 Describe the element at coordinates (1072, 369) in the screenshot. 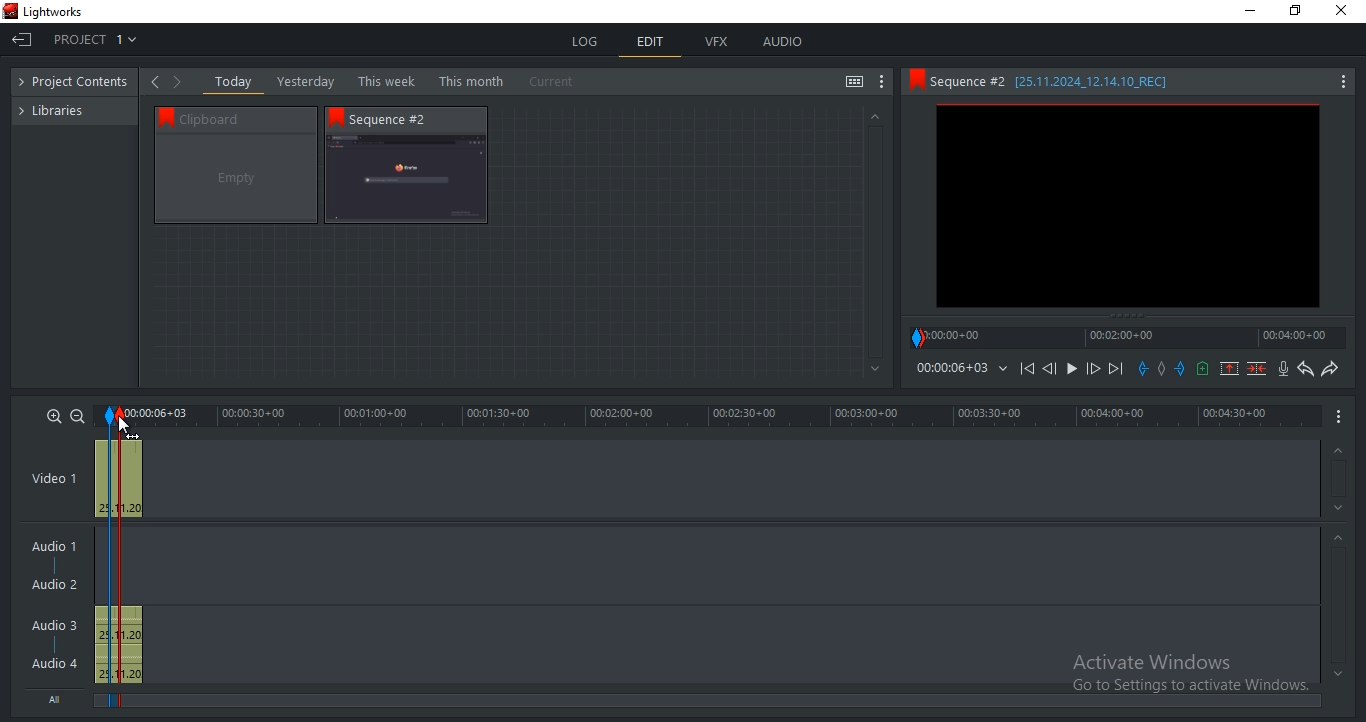

I see `Play` at that location.